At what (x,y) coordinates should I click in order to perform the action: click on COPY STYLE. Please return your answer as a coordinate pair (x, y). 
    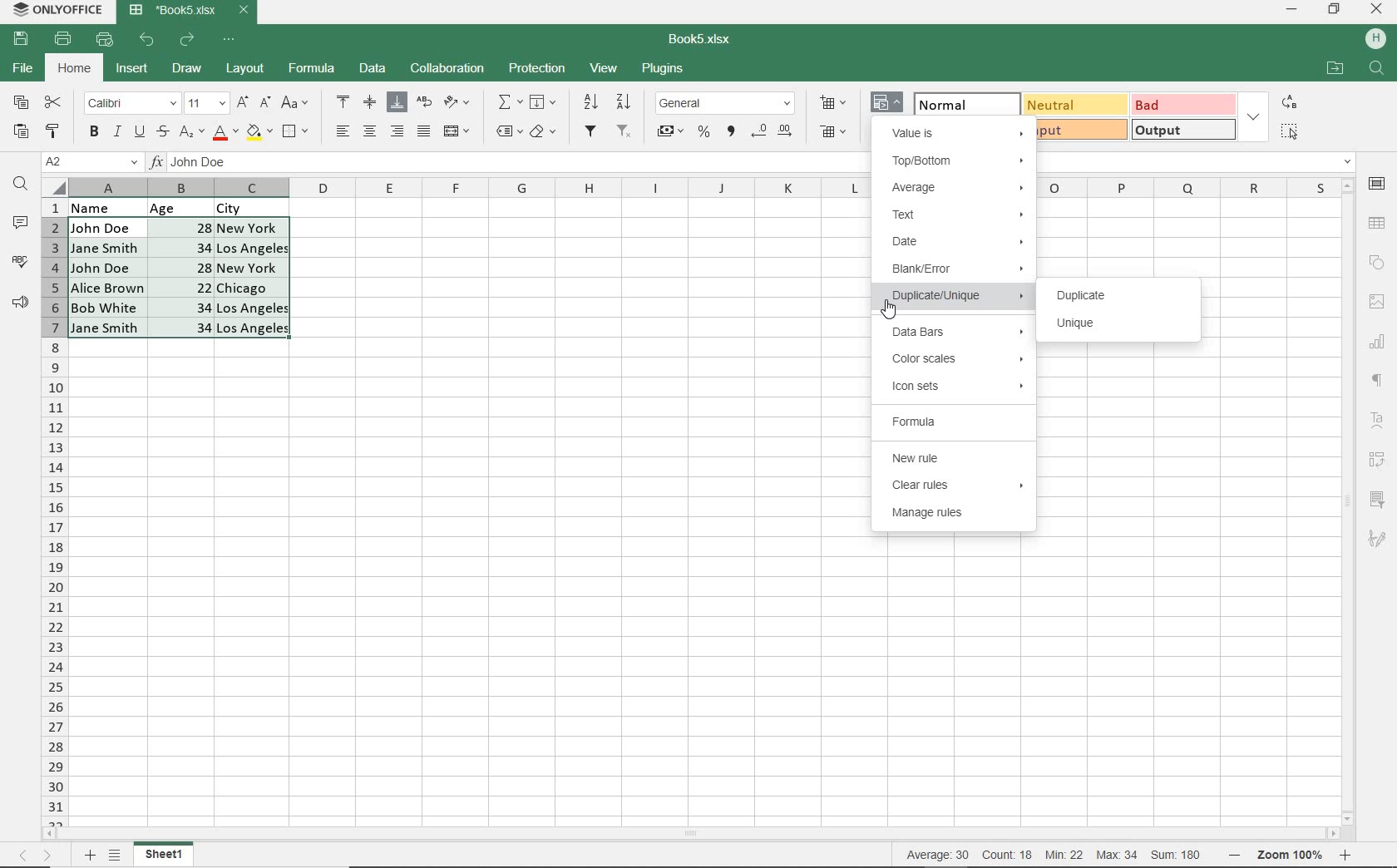
    Looking at the image, I should click on (53, 129).